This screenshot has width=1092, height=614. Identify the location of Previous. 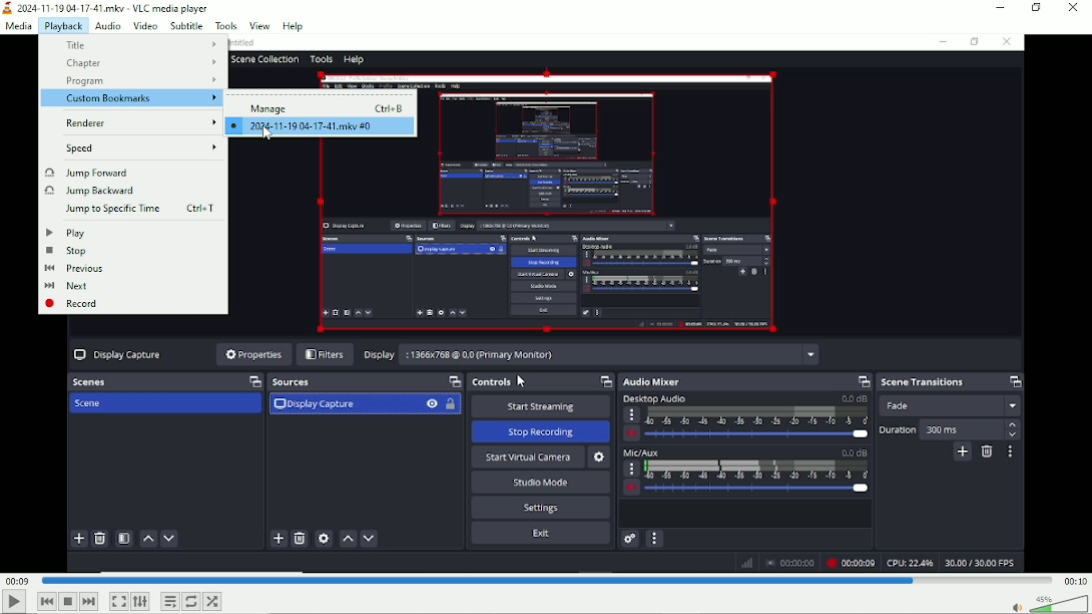
(75, 269).